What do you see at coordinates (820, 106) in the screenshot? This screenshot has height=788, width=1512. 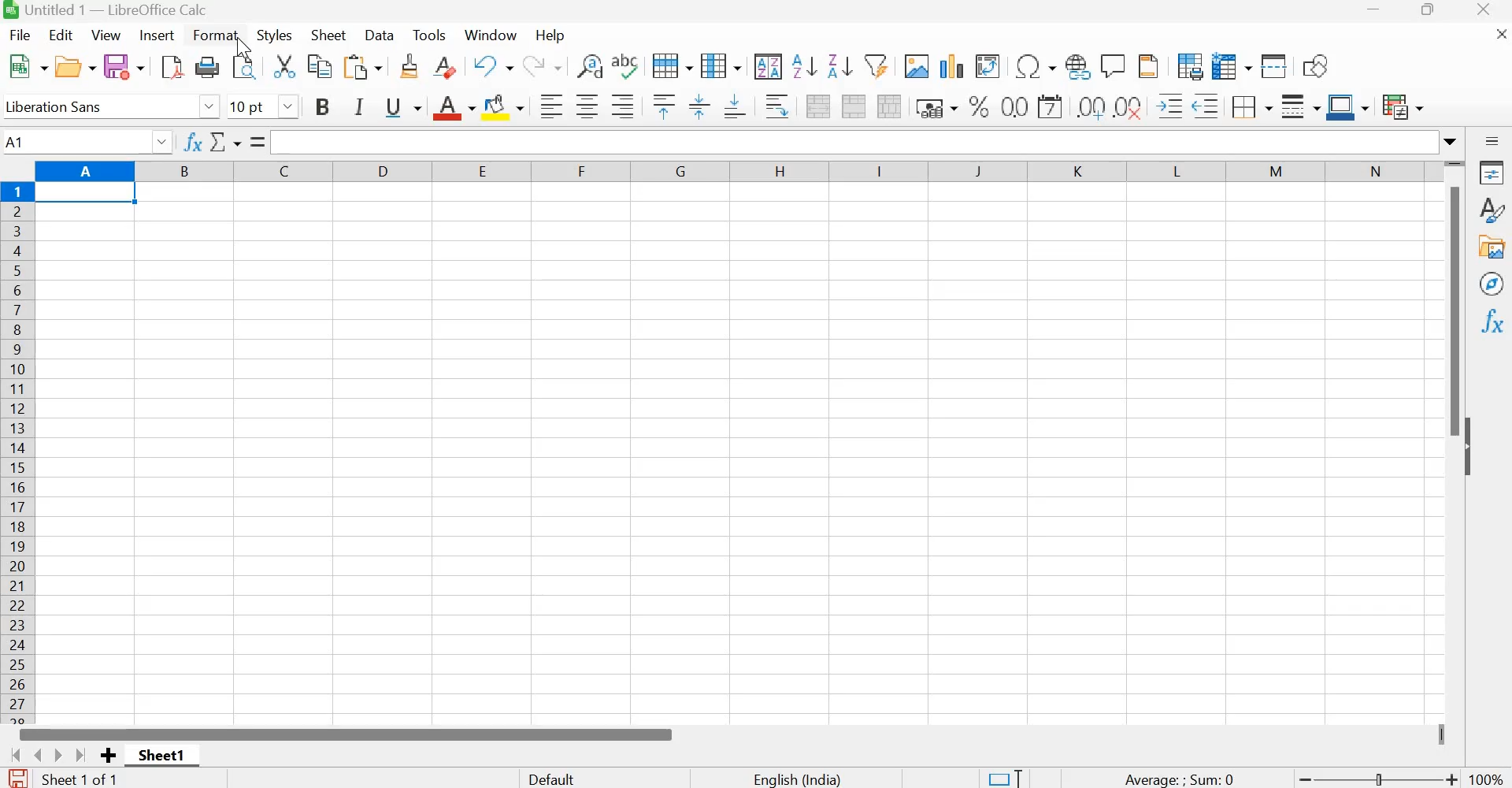 I see `Merge and center or unmerge cells` at bounding box center [820, 106].